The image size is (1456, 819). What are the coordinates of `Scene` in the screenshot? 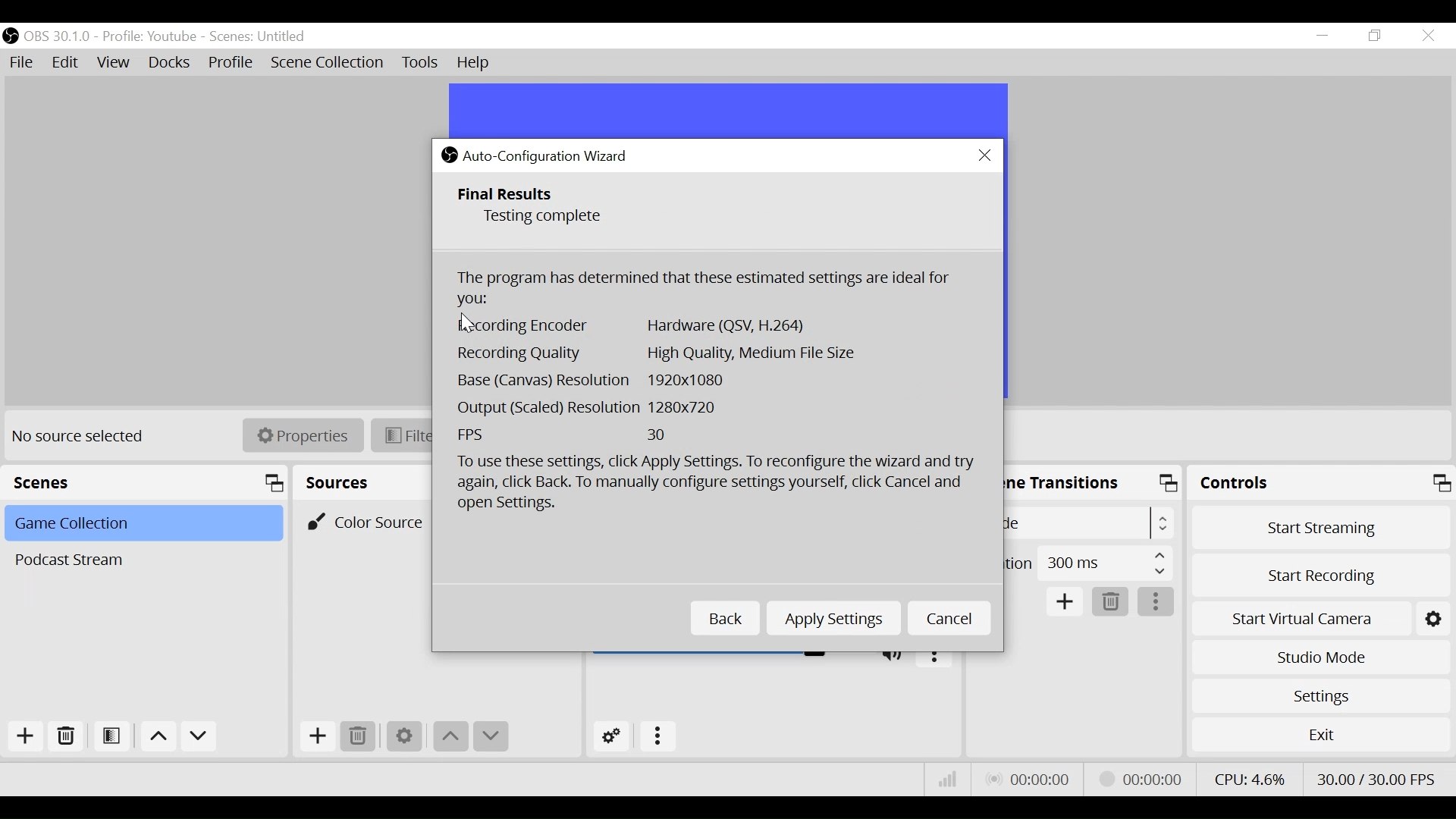 It's located at (140, 560).